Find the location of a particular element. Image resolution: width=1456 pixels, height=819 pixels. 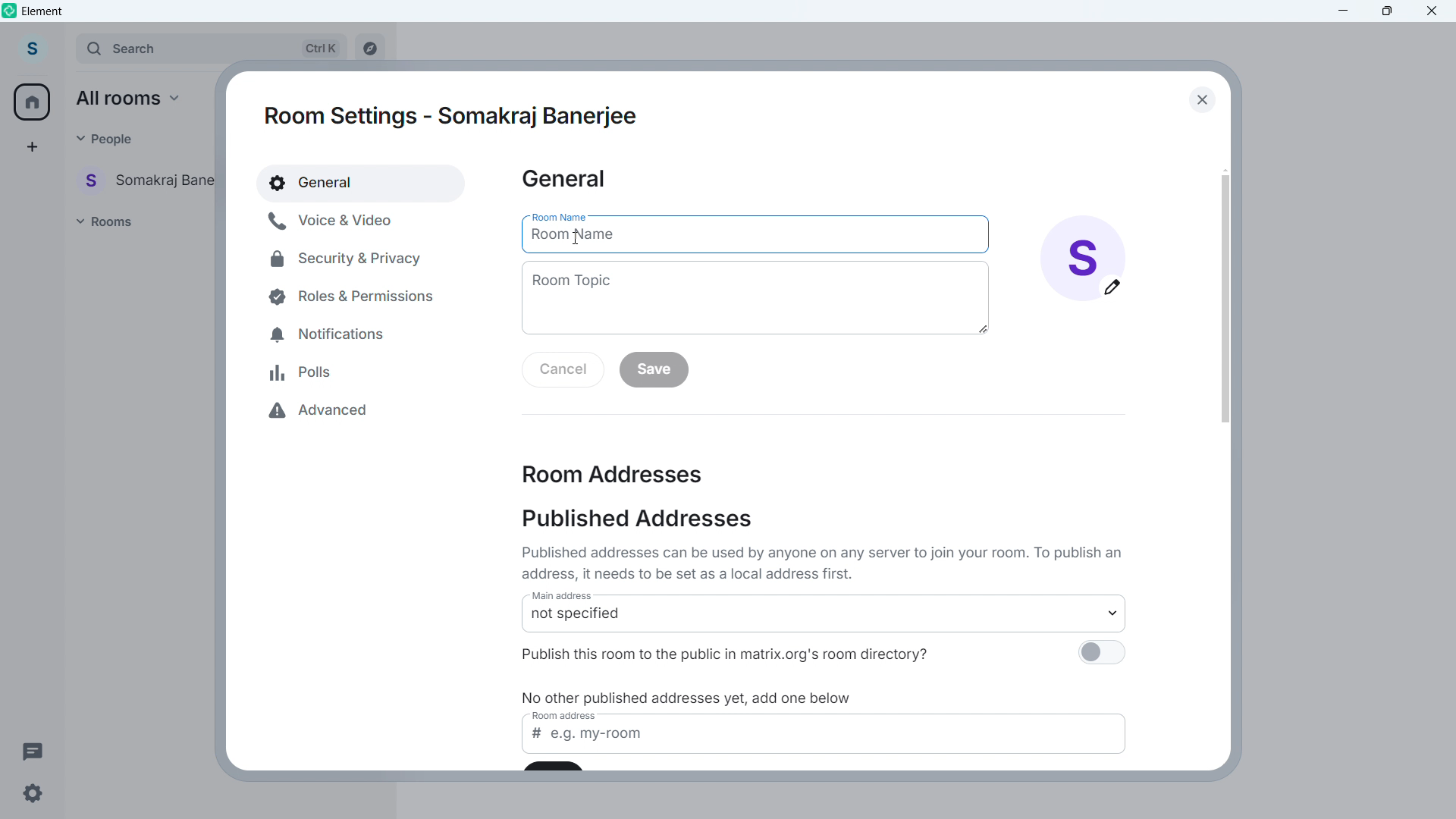

minimize is located at coordinates (1344, 11).